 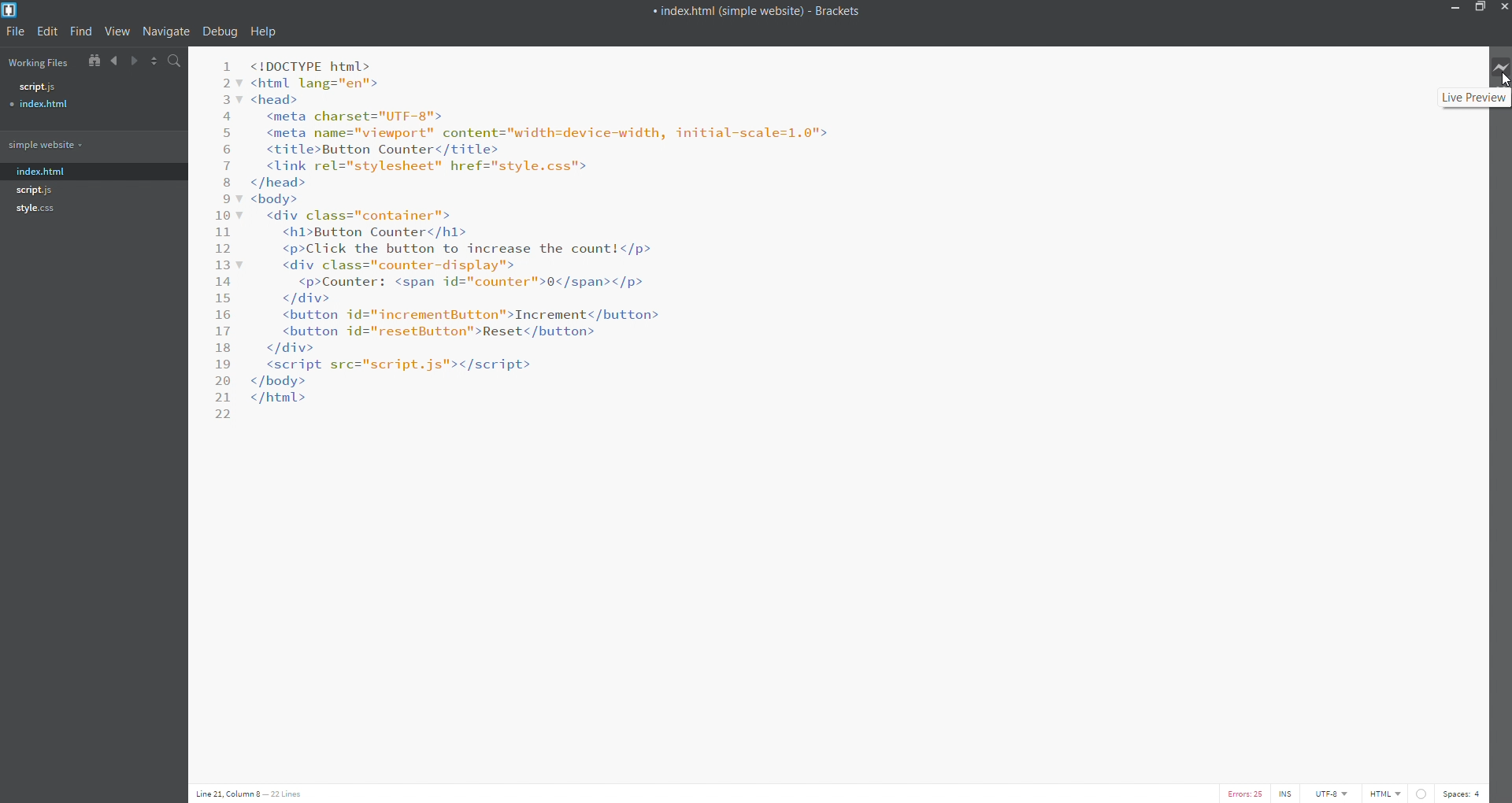 What do you see at coordinates (86, 87) in the screenshot?
I see `script..js` at bounding box center [86, 87].